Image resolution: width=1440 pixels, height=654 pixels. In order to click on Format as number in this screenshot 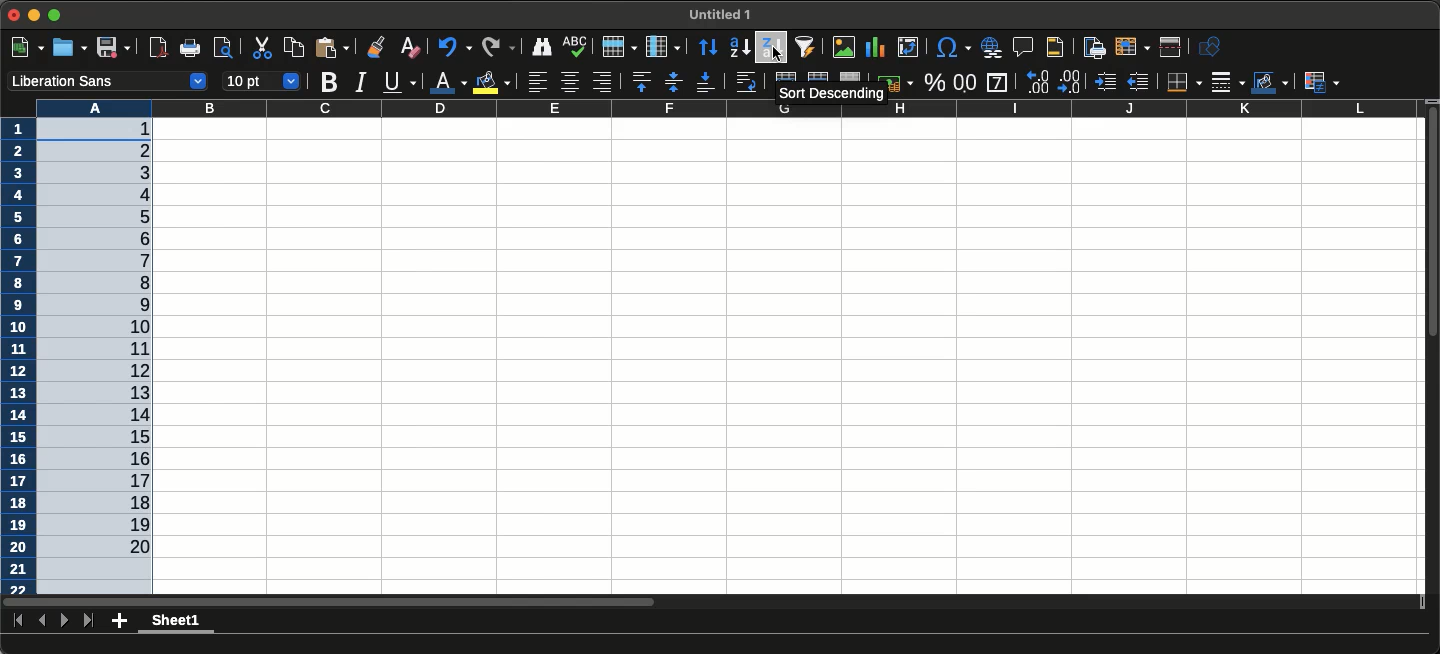, I will do `click(965, 84)`.